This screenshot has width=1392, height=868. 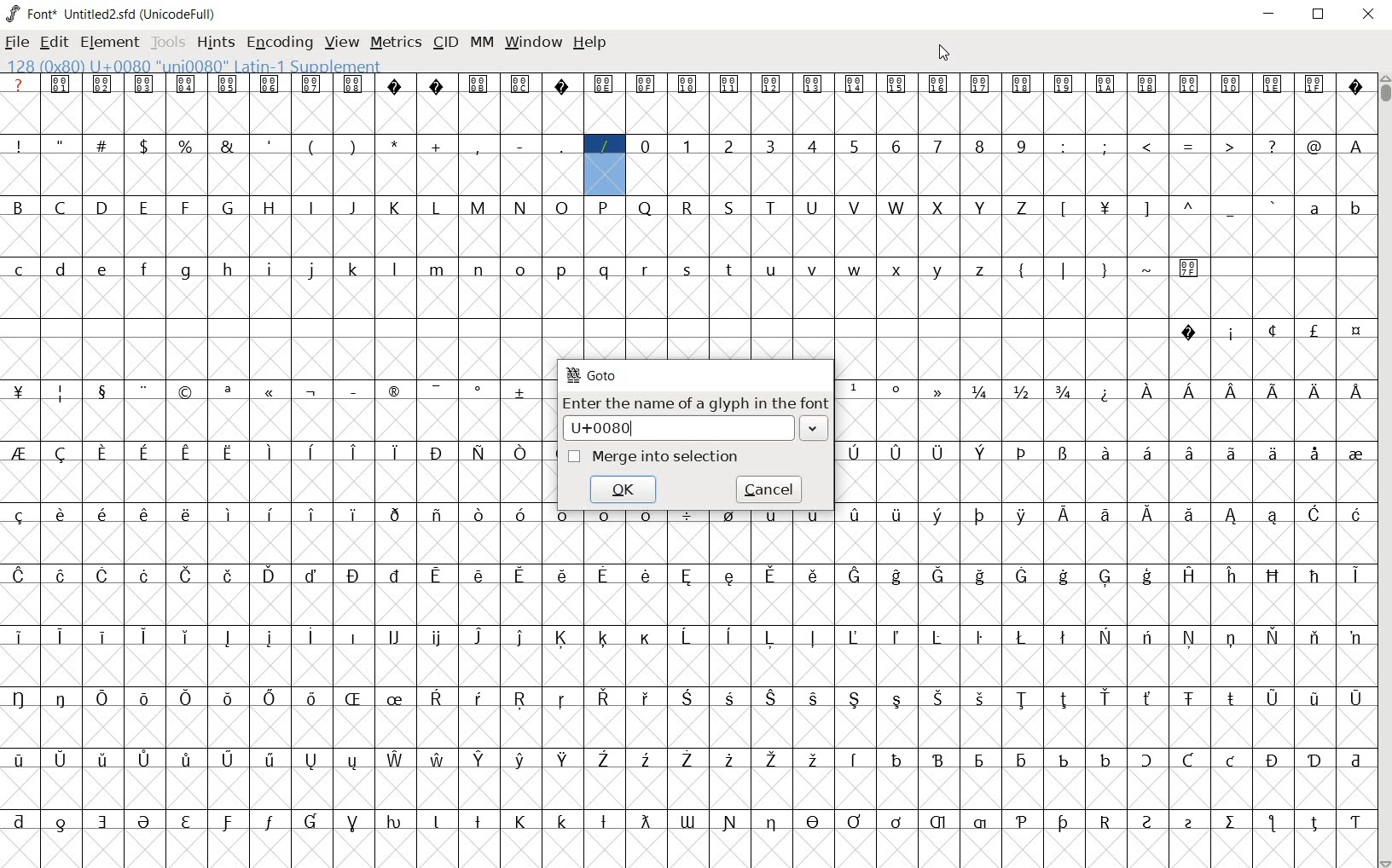 I want to click on glyph, so click(x=687, y=576).